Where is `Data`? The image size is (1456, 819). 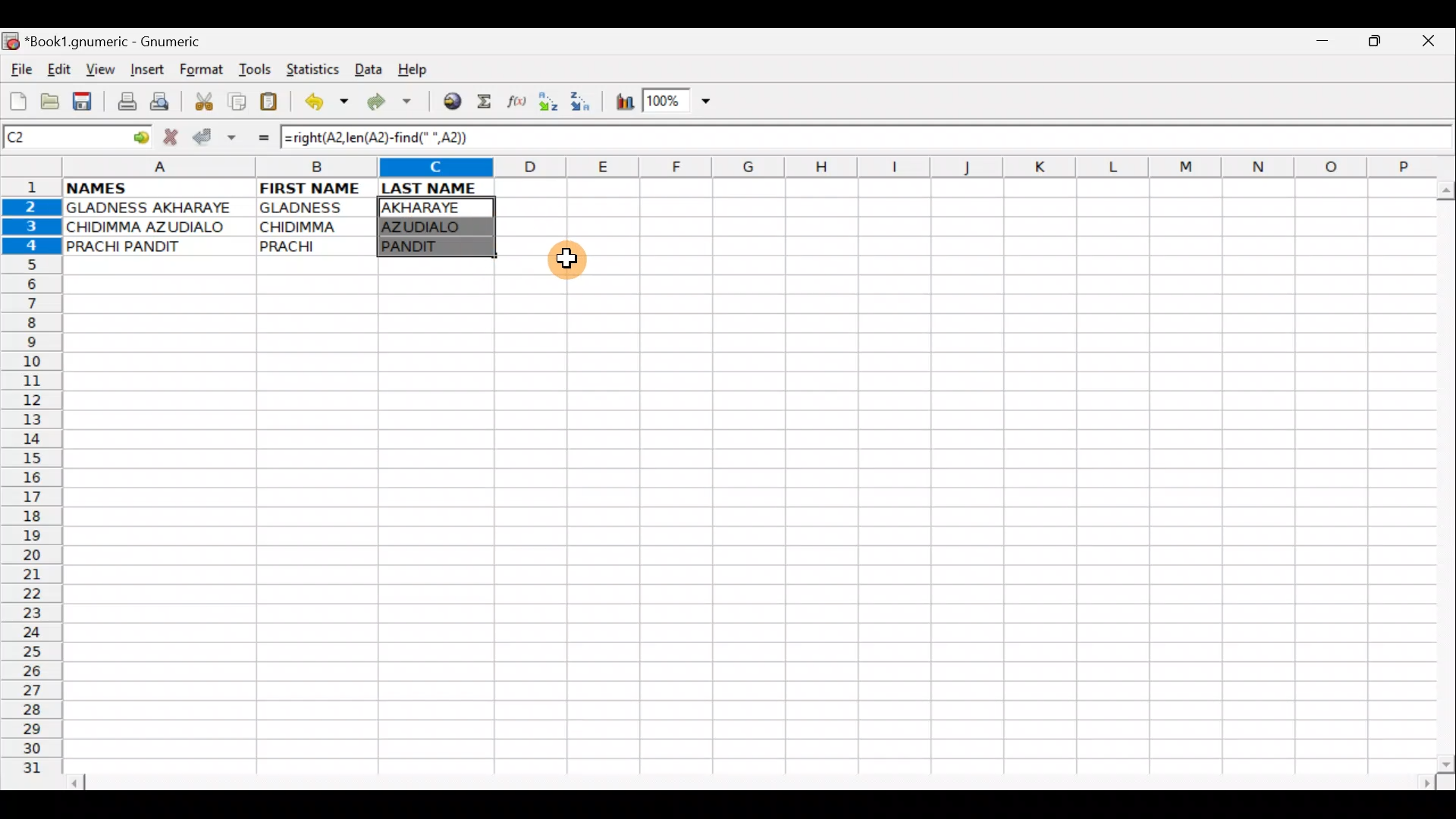 Data is located at coordinates (368, 68).